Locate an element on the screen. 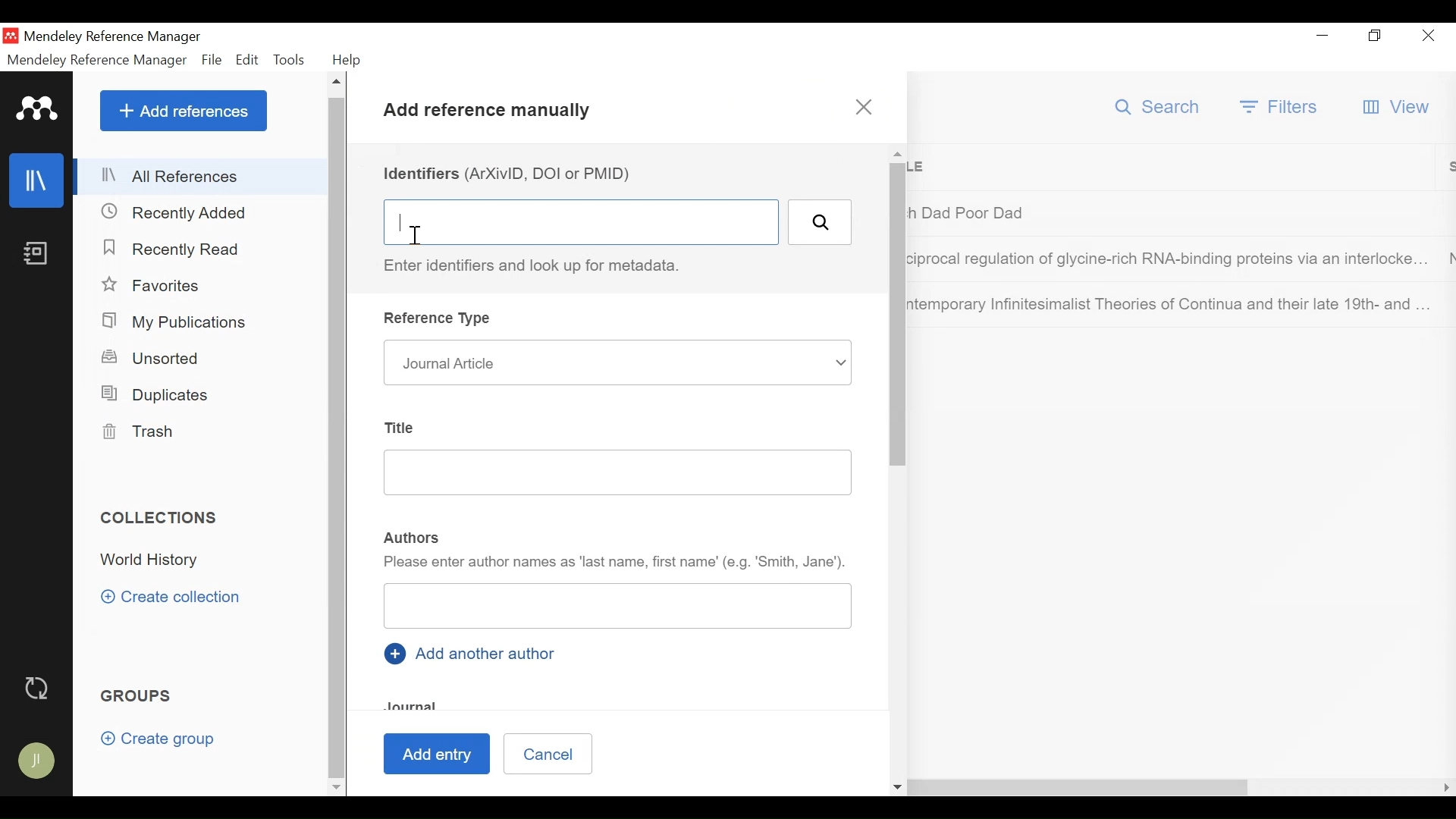 This screenshot has width=1456, height=819. Add References Manully is located at coordinates (488, 114).